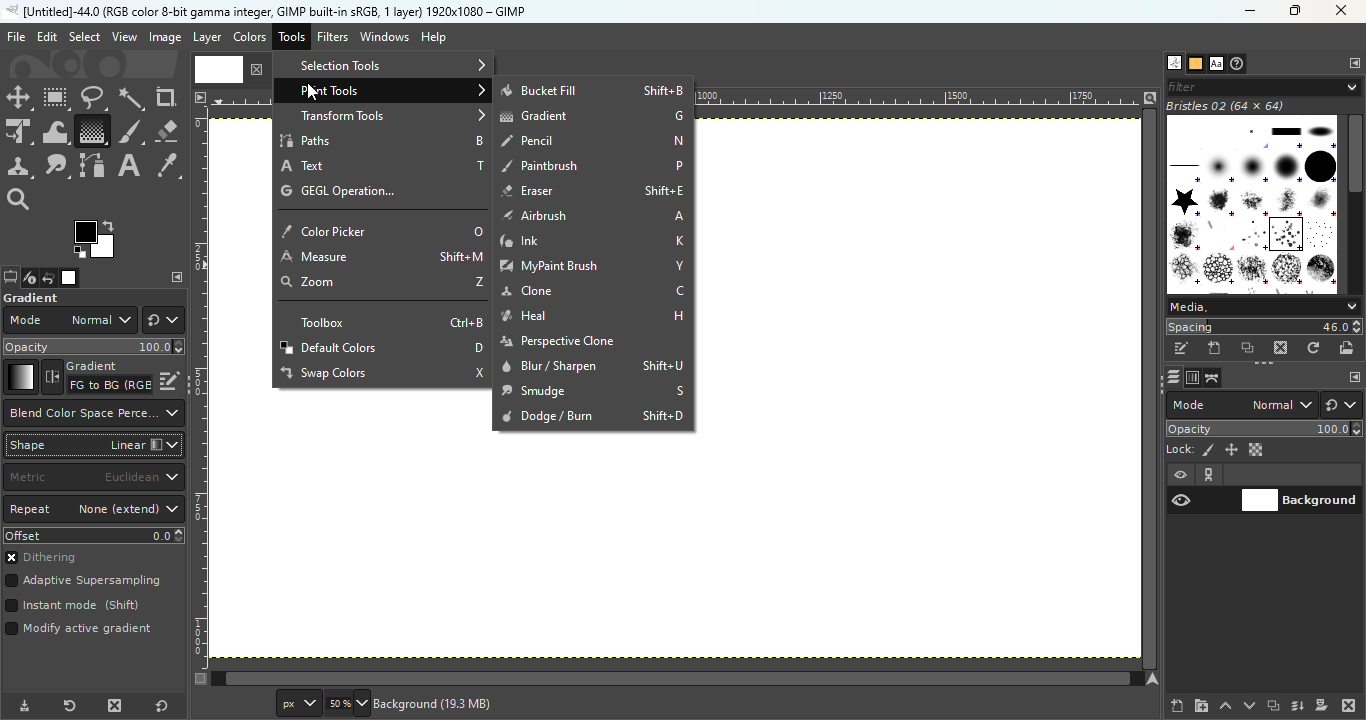  What do you see at coordinates (1174, 62) in the screenshot?
I see `Open the brushes dialog` at bounding box center [1174, 62].